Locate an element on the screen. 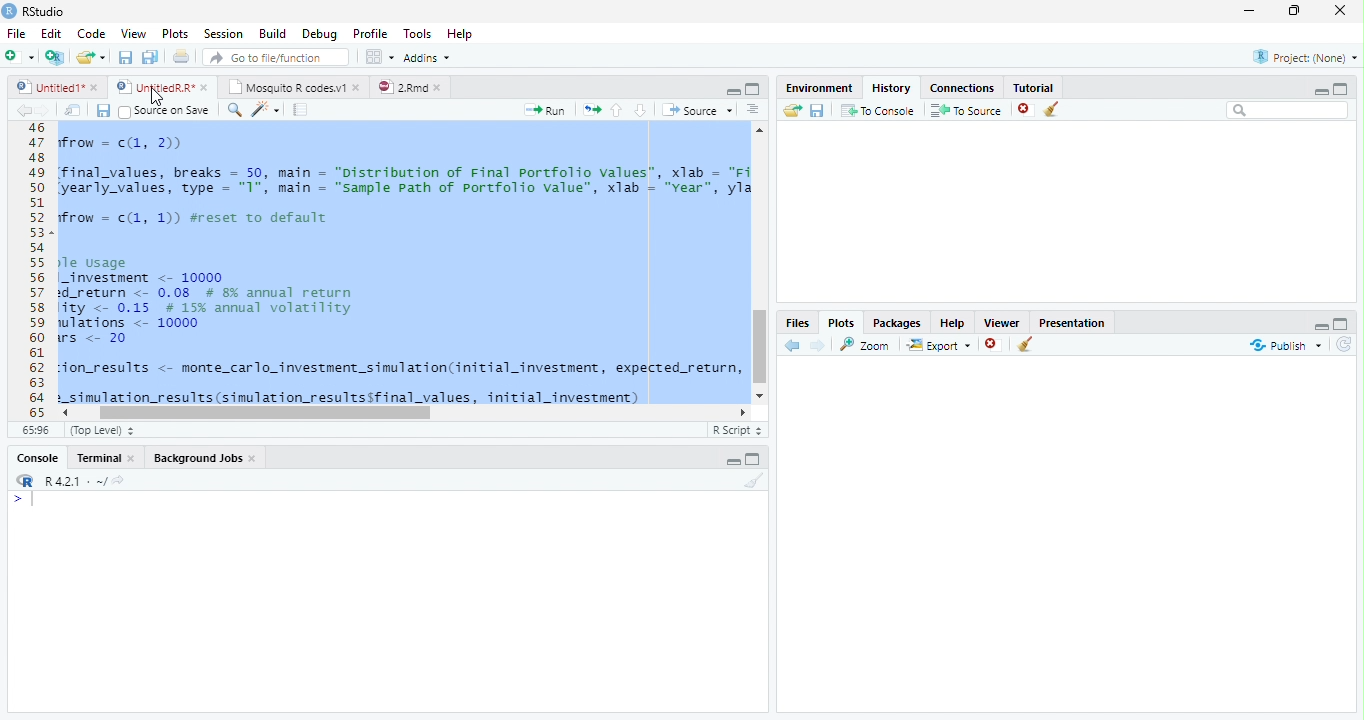  View is located at coordinates (132, 32).